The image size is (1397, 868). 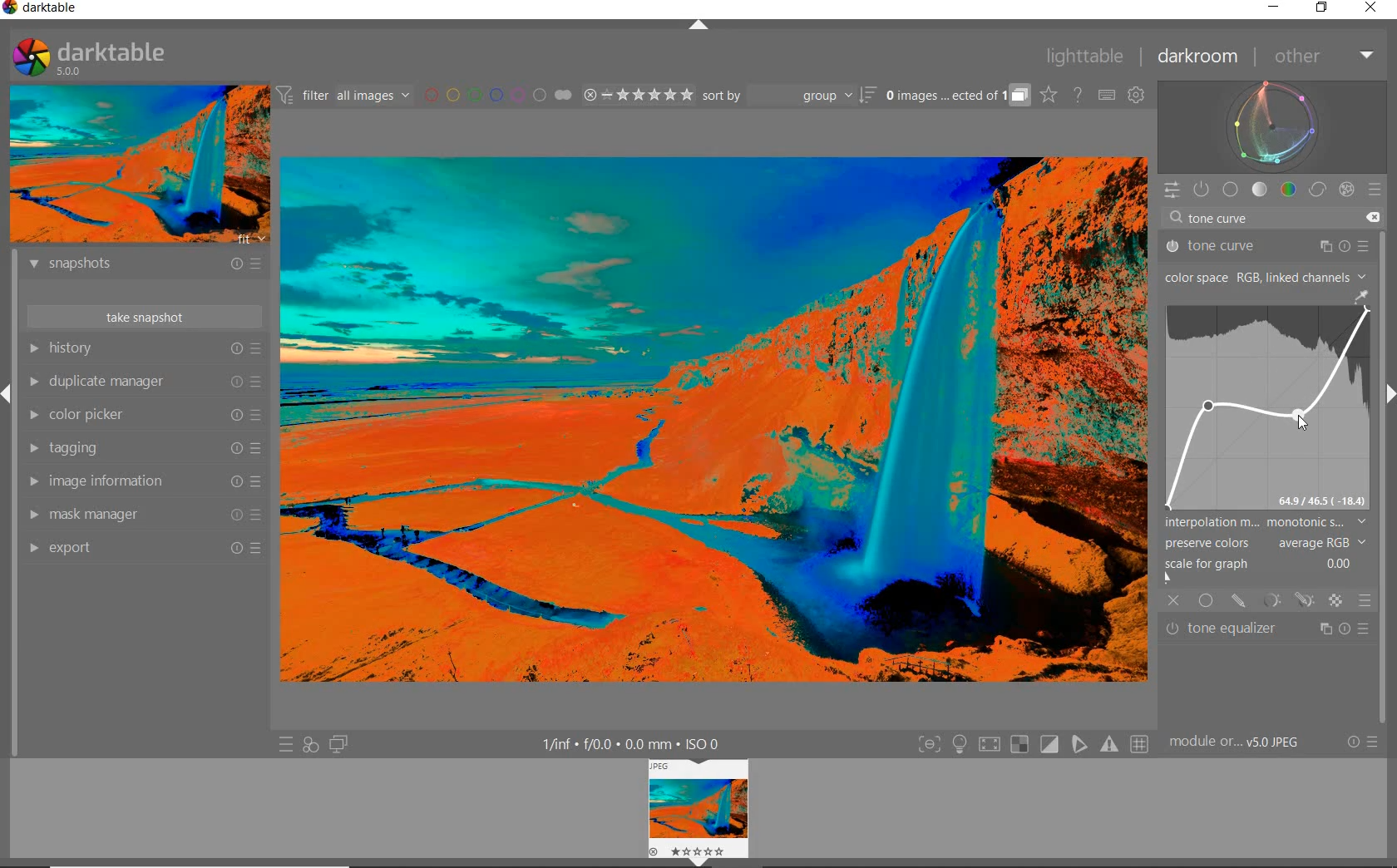 I want to click on tagging, so click(x=144, y=448).